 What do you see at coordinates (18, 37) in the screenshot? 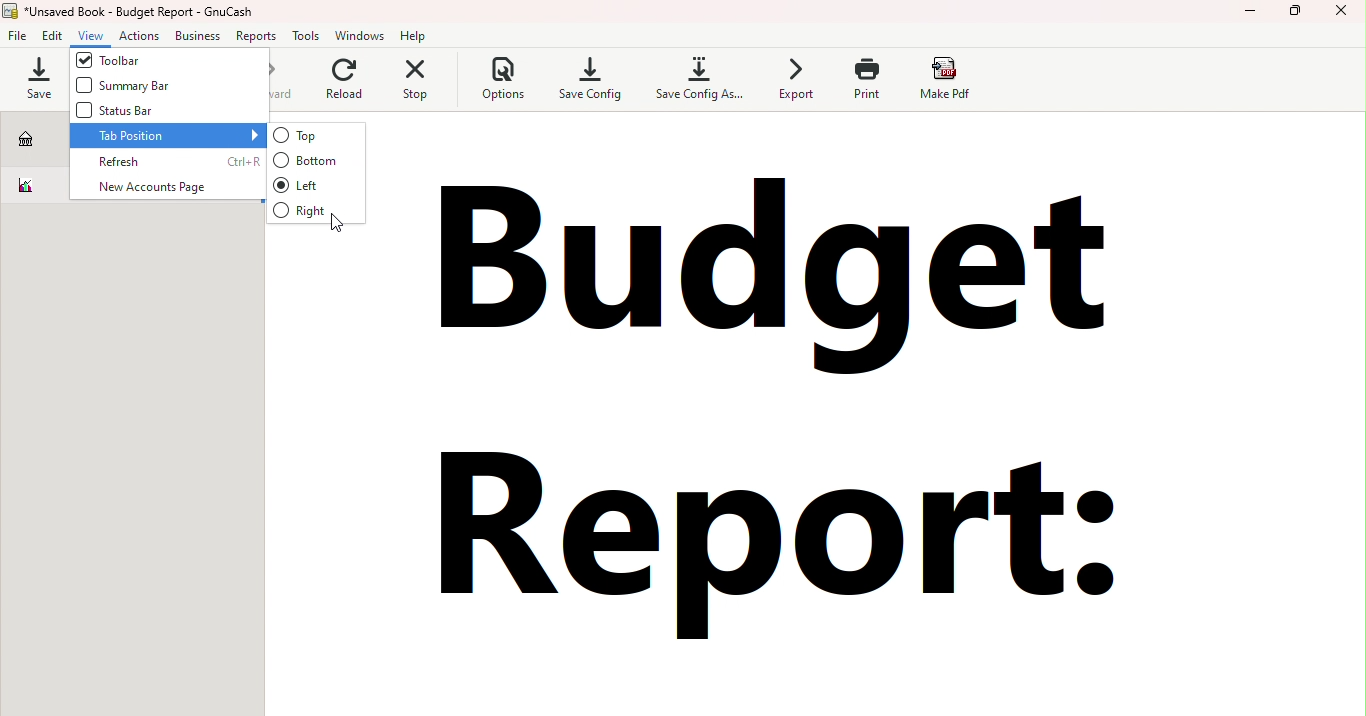
I see `File` at bounding box center [18, 37].